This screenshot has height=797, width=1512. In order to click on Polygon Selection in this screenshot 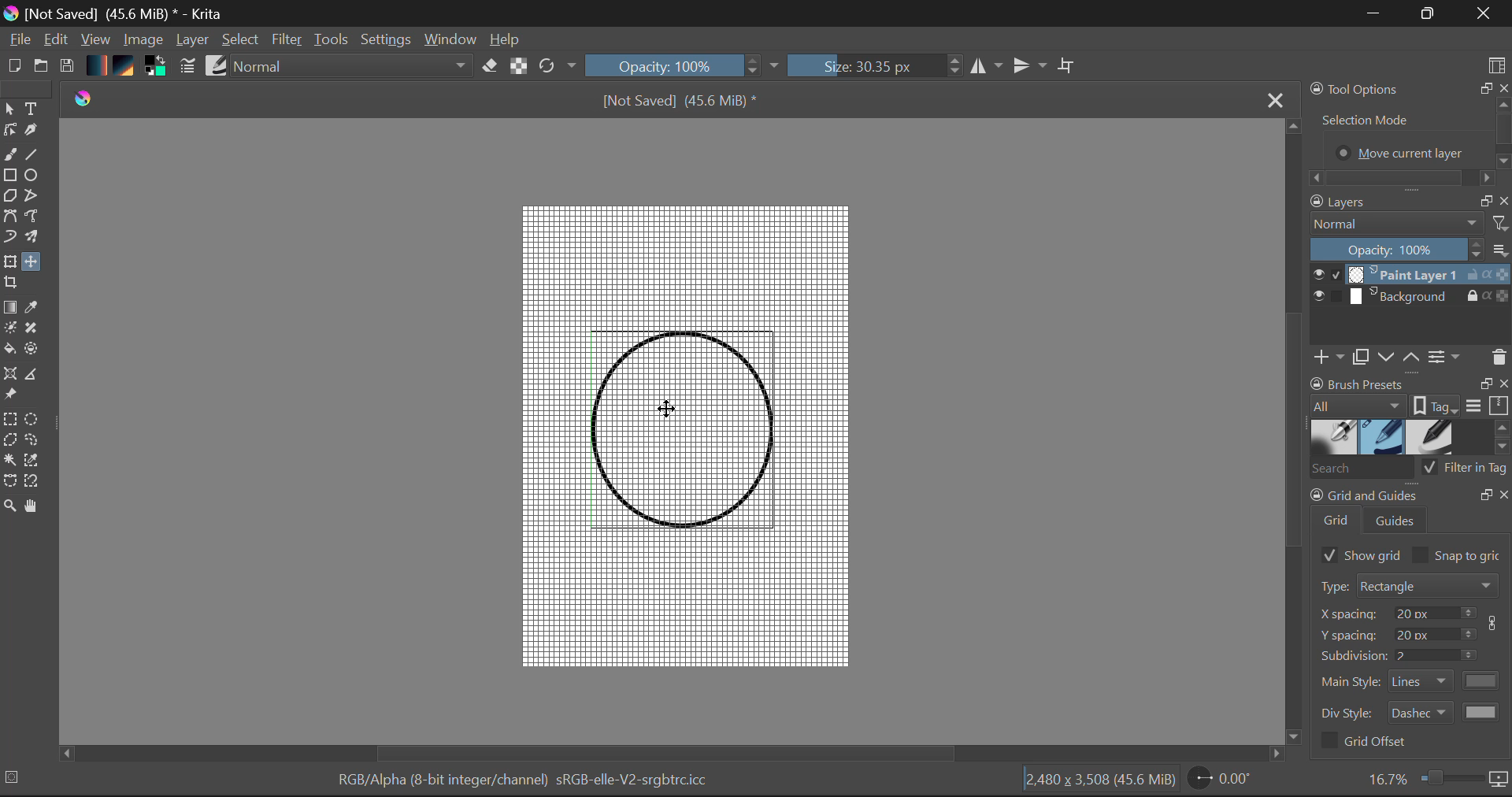, I will do `click(10, 441)`.